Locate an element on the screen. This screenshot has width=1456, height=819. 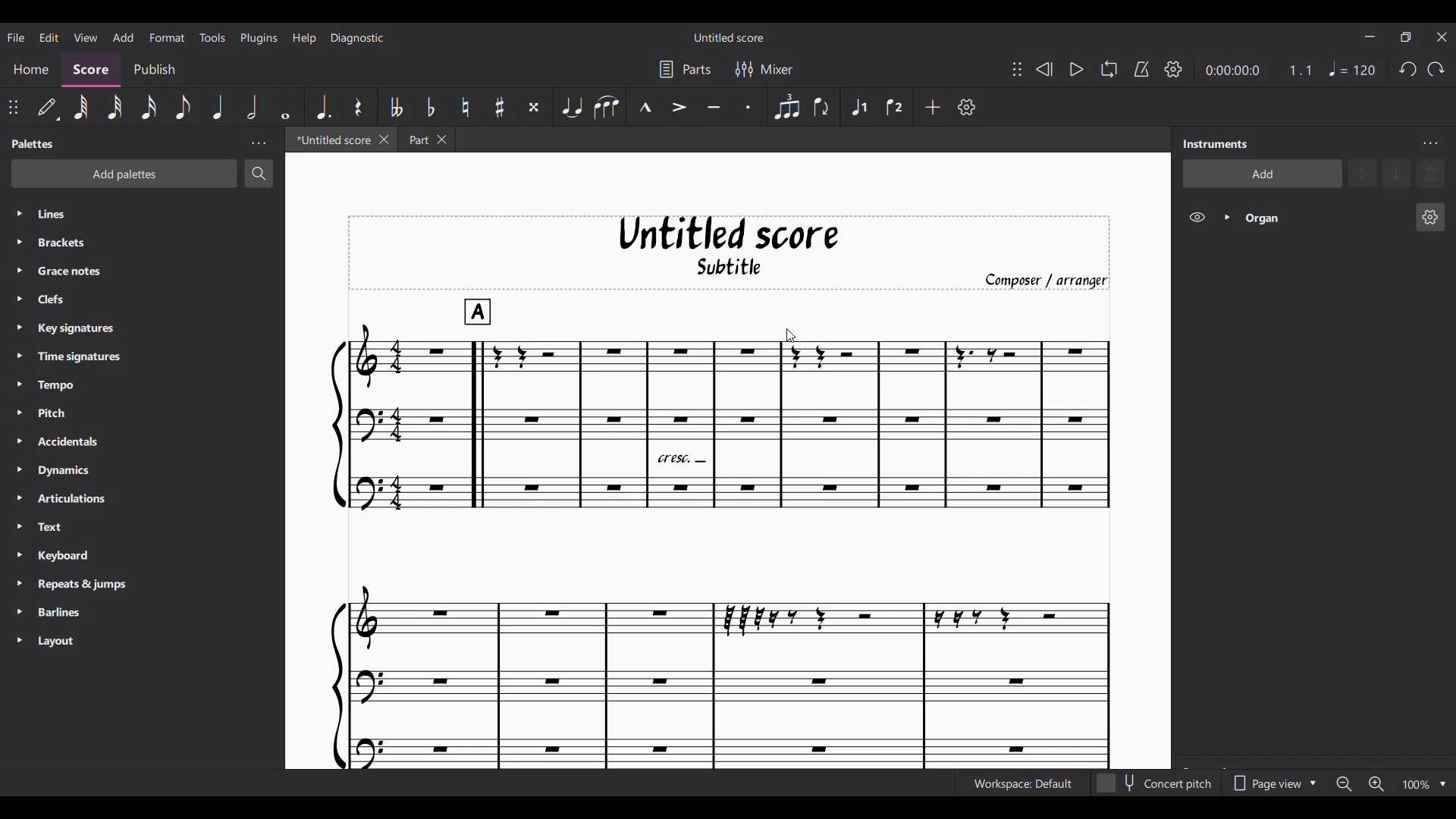
Undo is located at coordinates (1408, 69).